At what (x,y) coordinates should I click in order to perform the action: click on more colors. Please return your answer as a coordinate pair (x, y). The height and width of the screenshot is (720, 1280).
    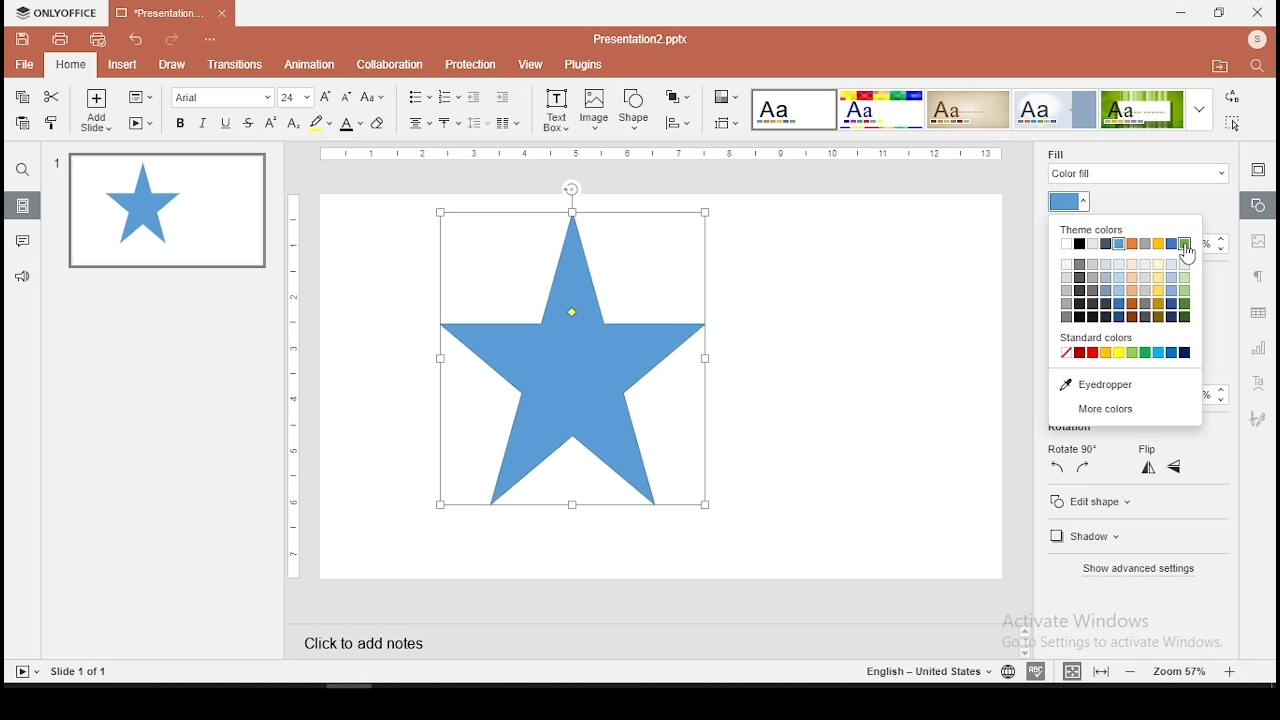
    Looking at the image, I should click on (1124, 410).